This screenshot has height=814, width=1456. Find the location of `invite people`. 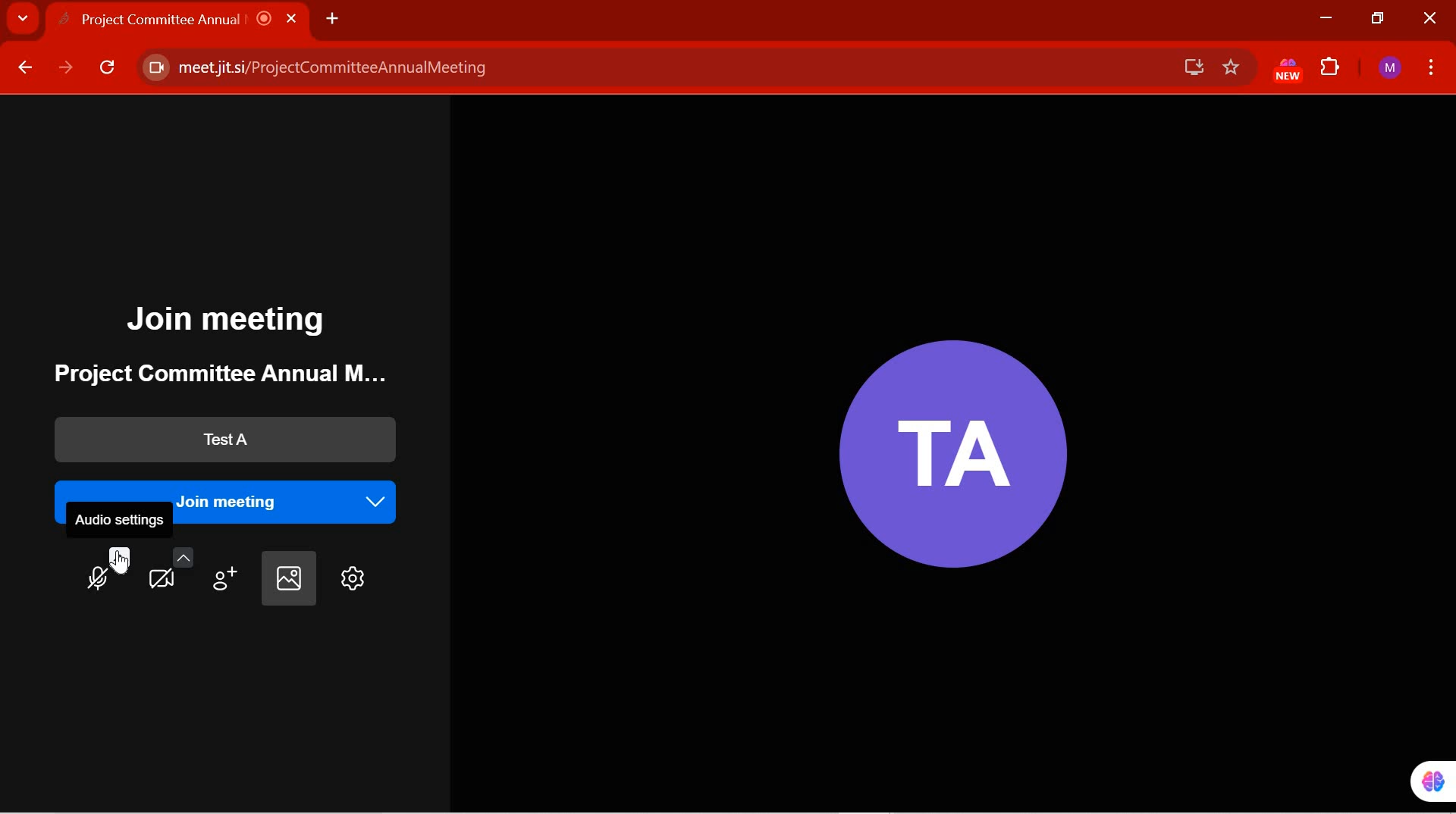

invite people is located at coordinates (227, 573).